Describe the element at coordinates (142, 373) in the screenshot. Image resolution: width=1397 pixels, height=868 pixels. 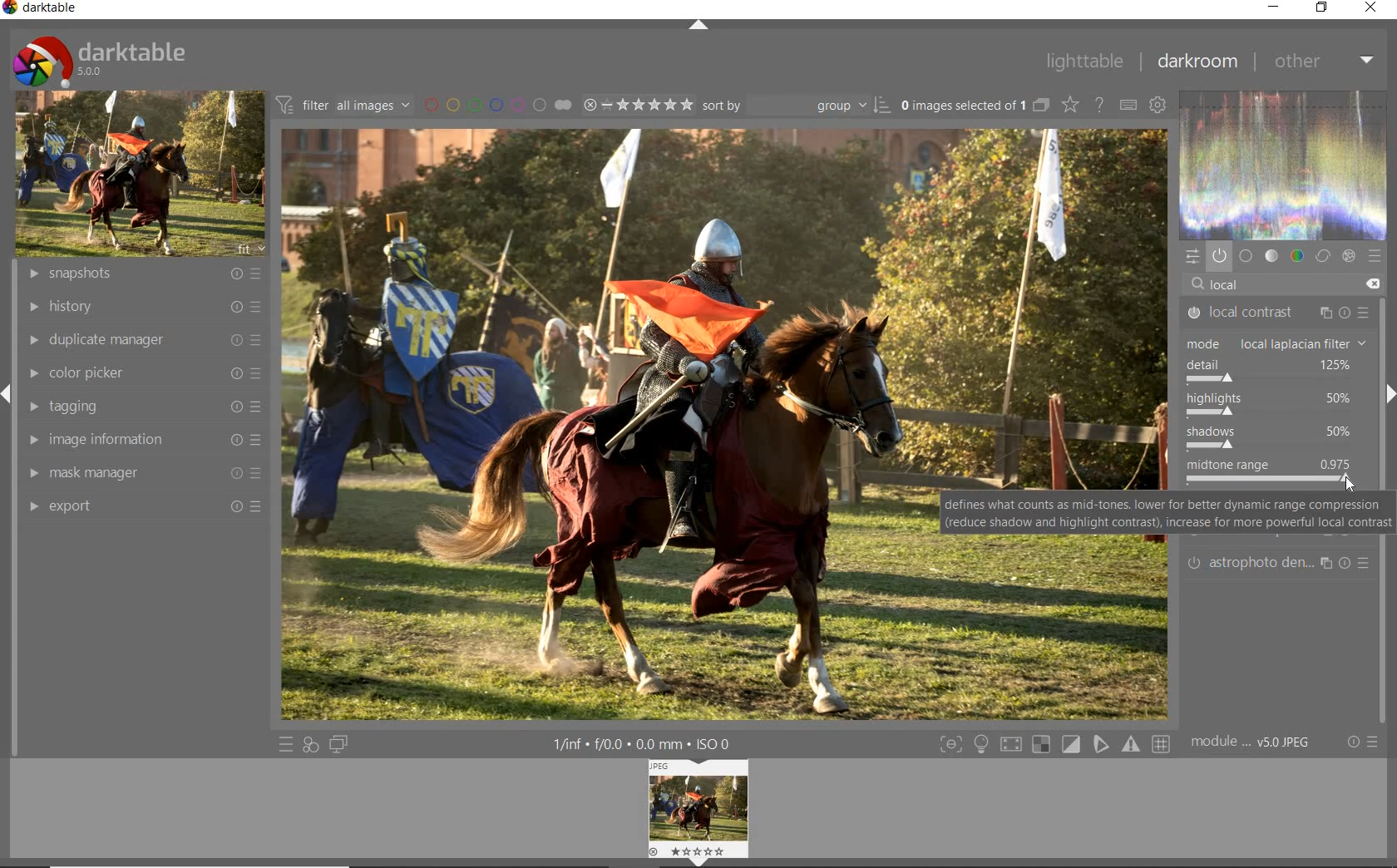
I see `color picker` at that location.